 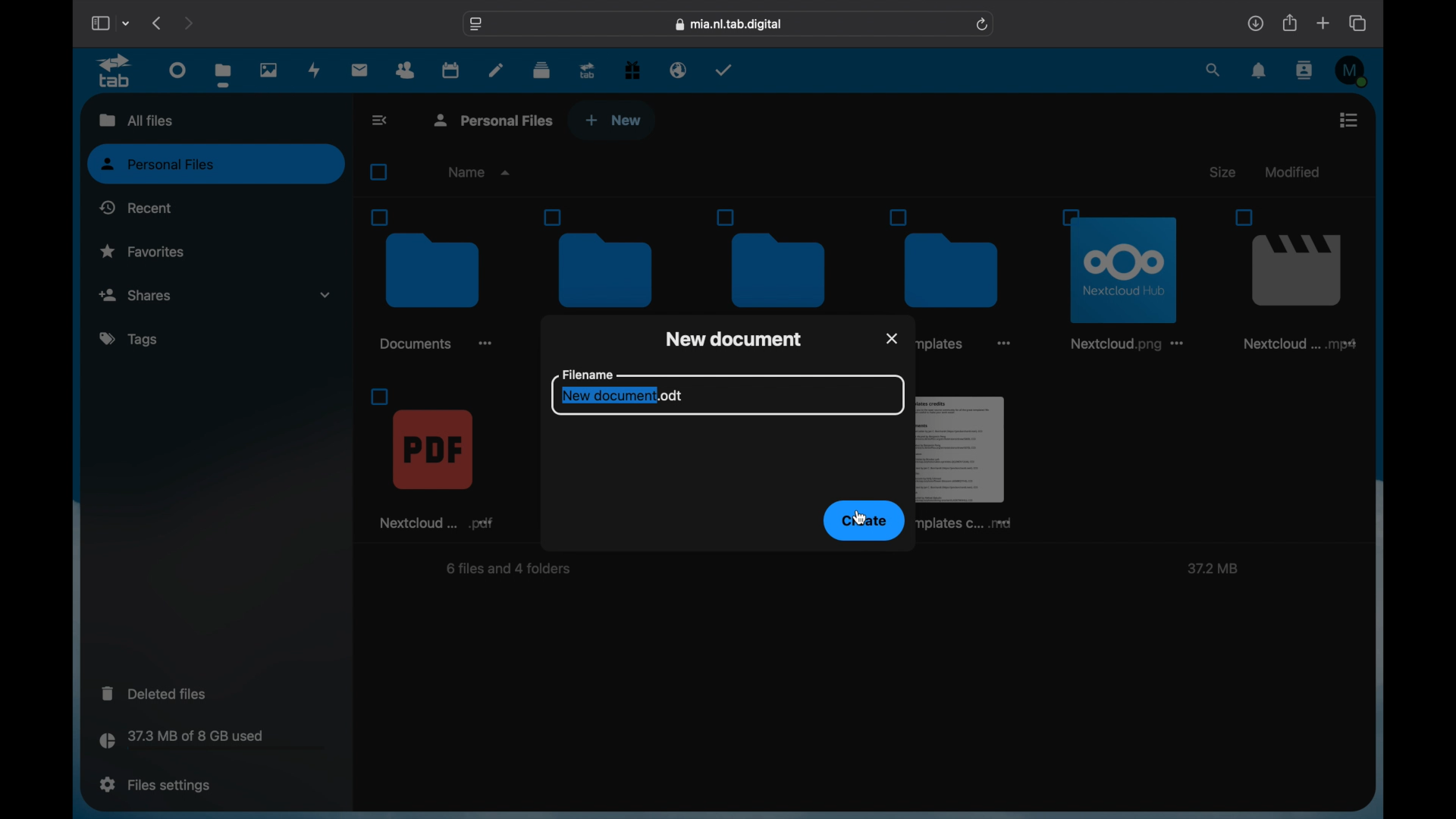 I want to click on photos, so click(x=270, y=70).